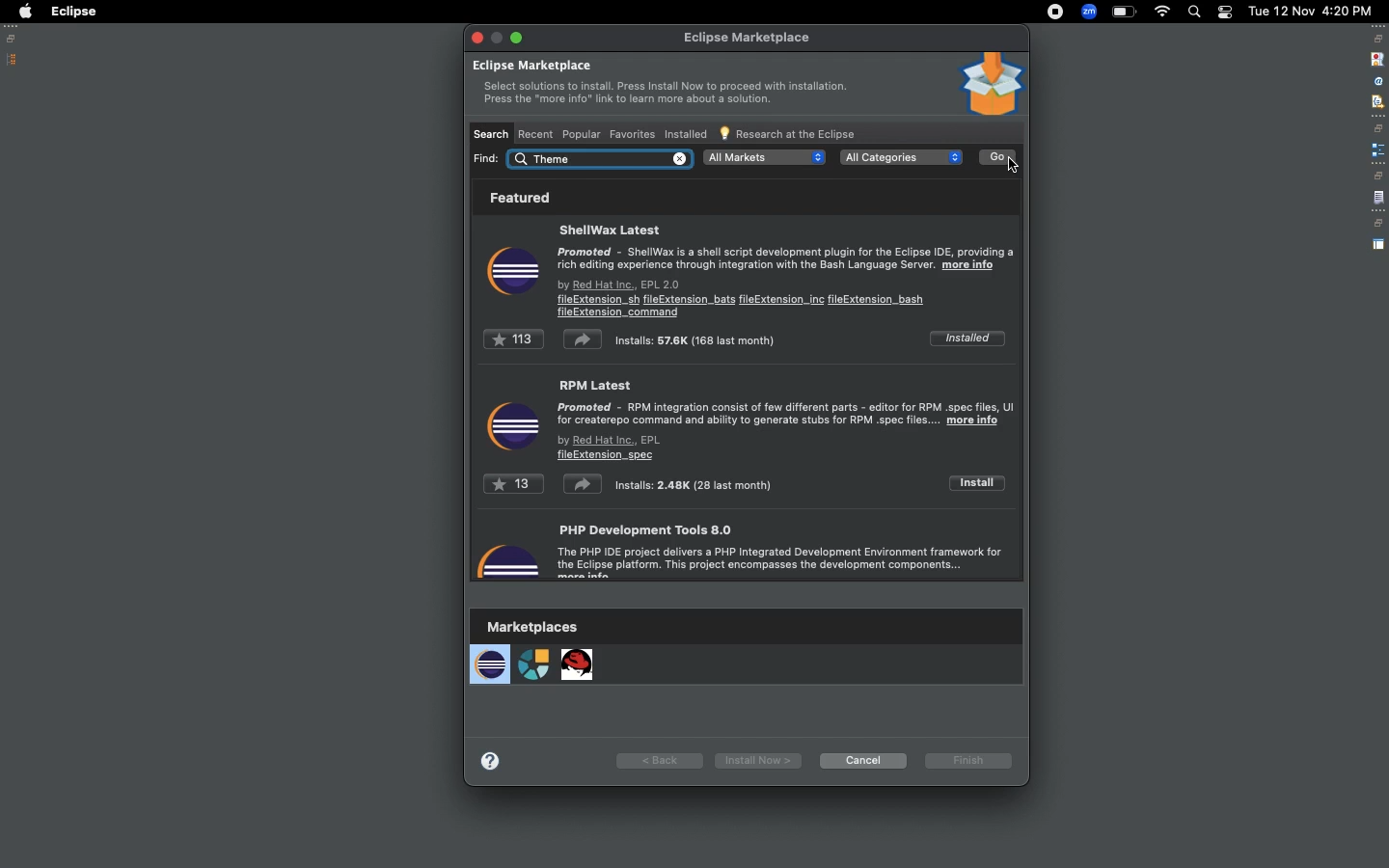 Image resolution: width=1389 pixels, height=868 pixels. I want to click on Popular, so click(580, 134).